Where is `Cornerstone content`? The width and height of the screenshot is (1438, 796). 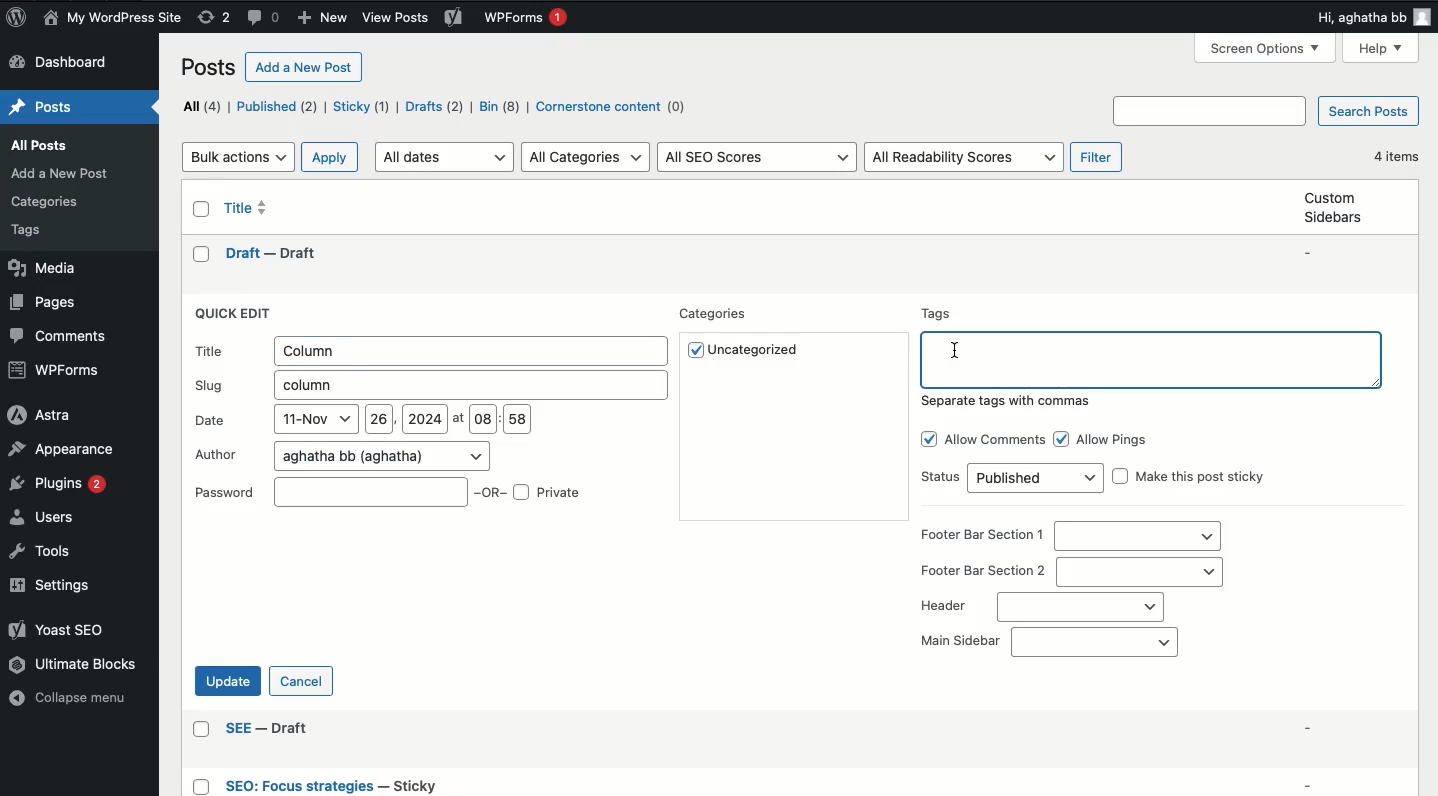
Cornerstone content is located at coordinates (614, 109).